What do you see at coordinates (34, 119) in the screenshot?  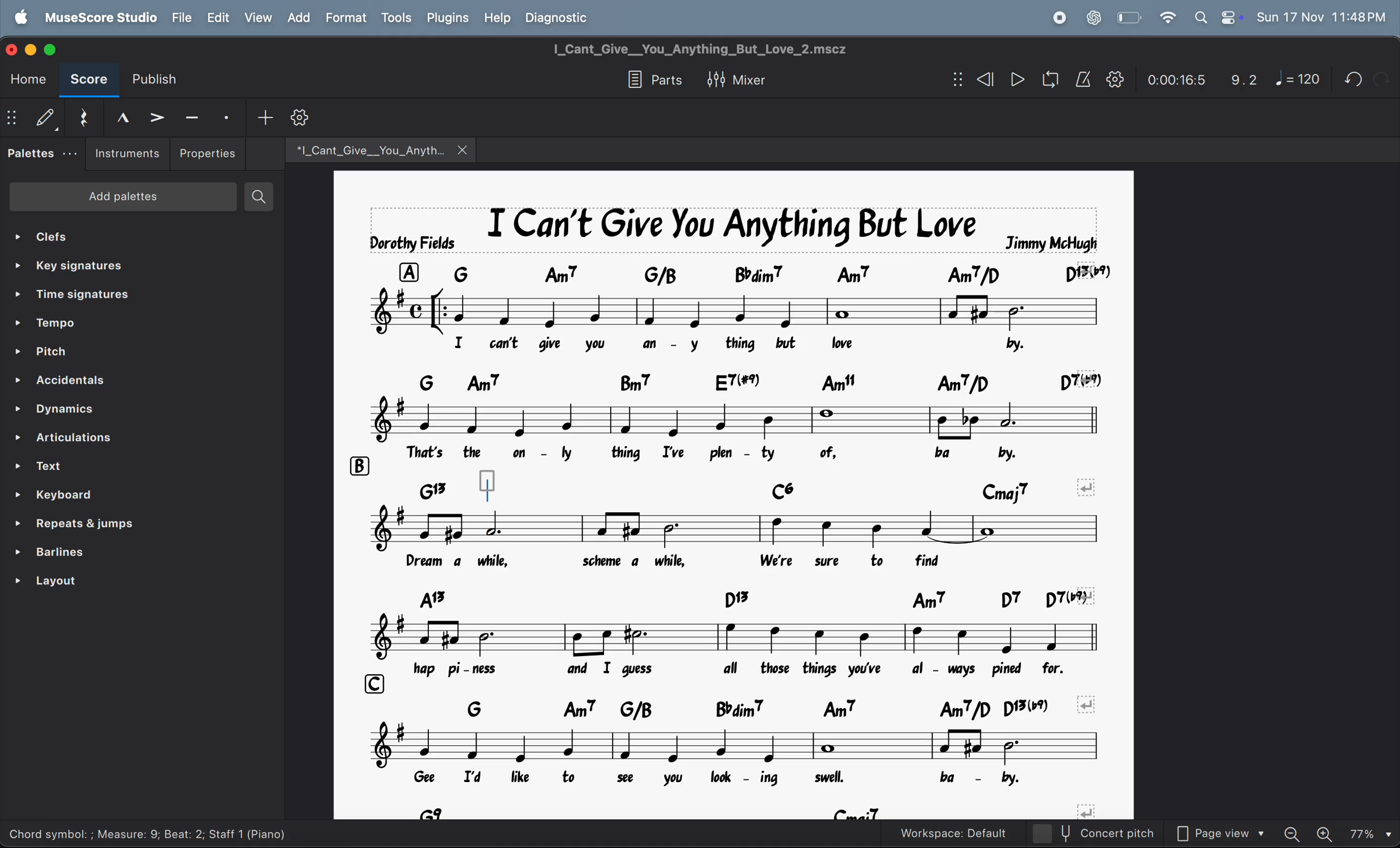 I see `default` at bounding box center [34, 119].